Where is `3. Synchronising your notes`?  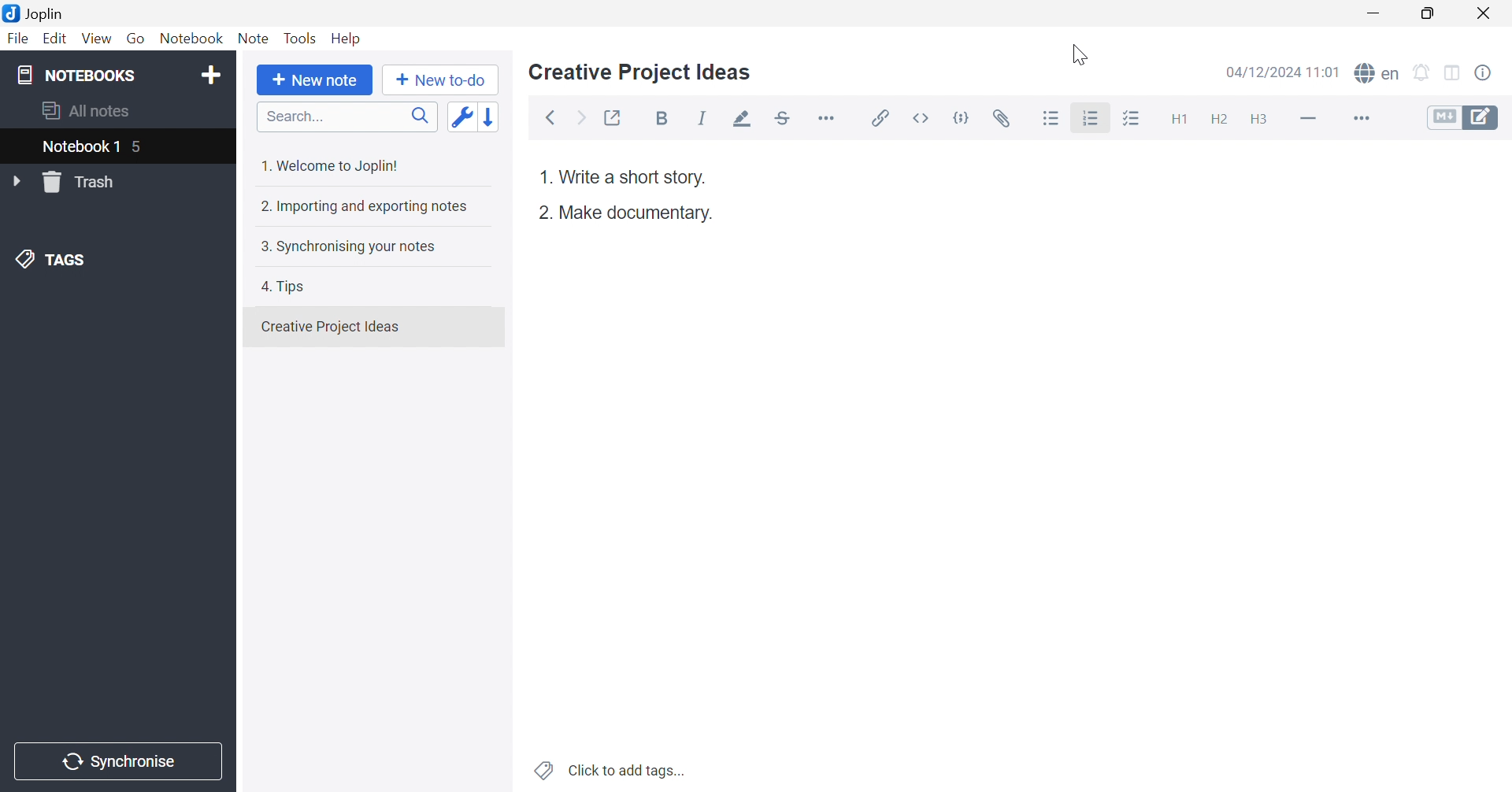 3. Synchronising your notes is located at coordinates (350, 247).